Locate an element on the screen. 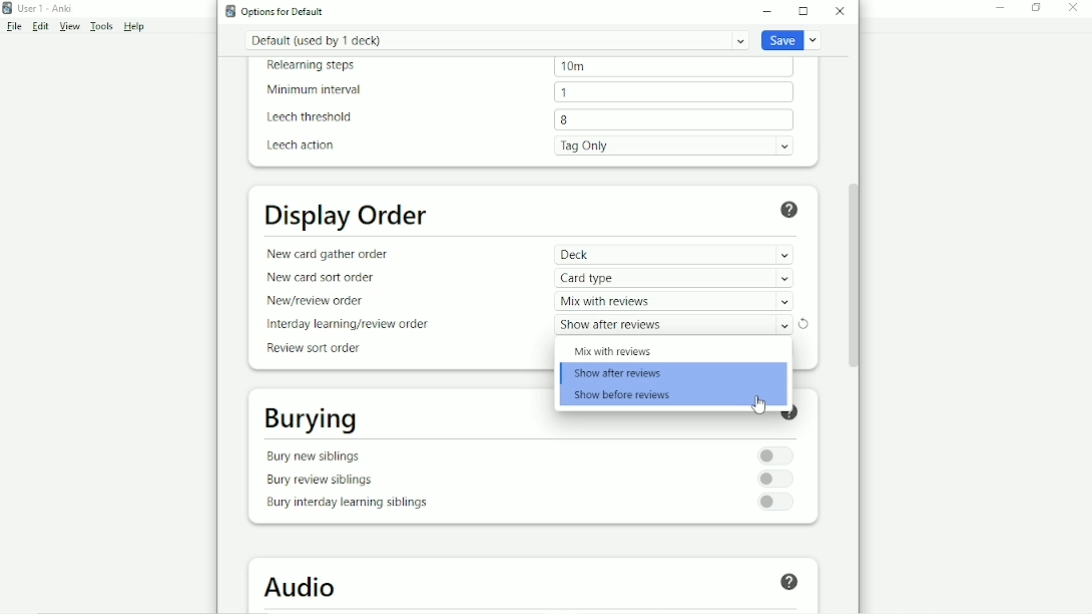 The height and width of the screenshot is (614, 1092). Toggle for bury review siblings is located at coordinates (776, 479).